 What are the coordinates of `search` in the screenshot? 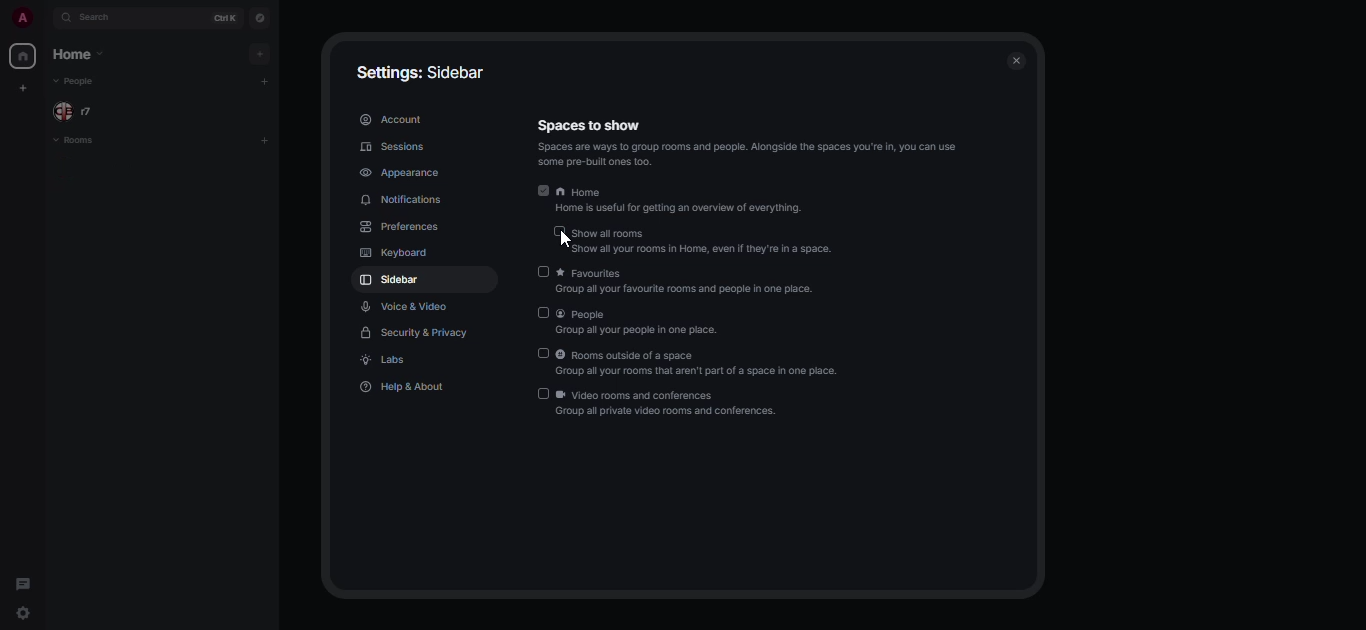 It's located at (103, 19).